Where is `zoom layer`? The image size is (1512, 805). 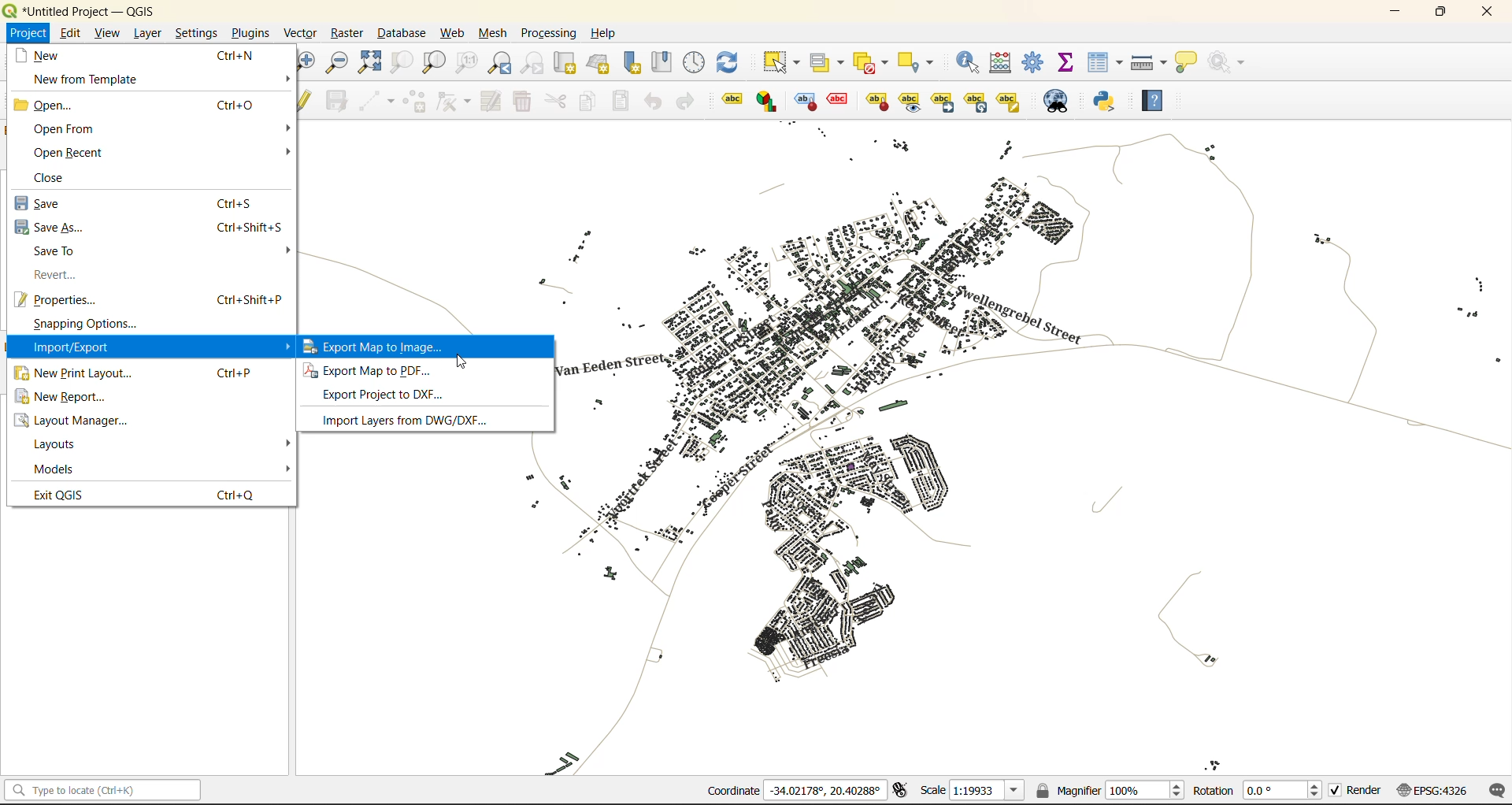 zoom layer is located at coordinates (435, 64).